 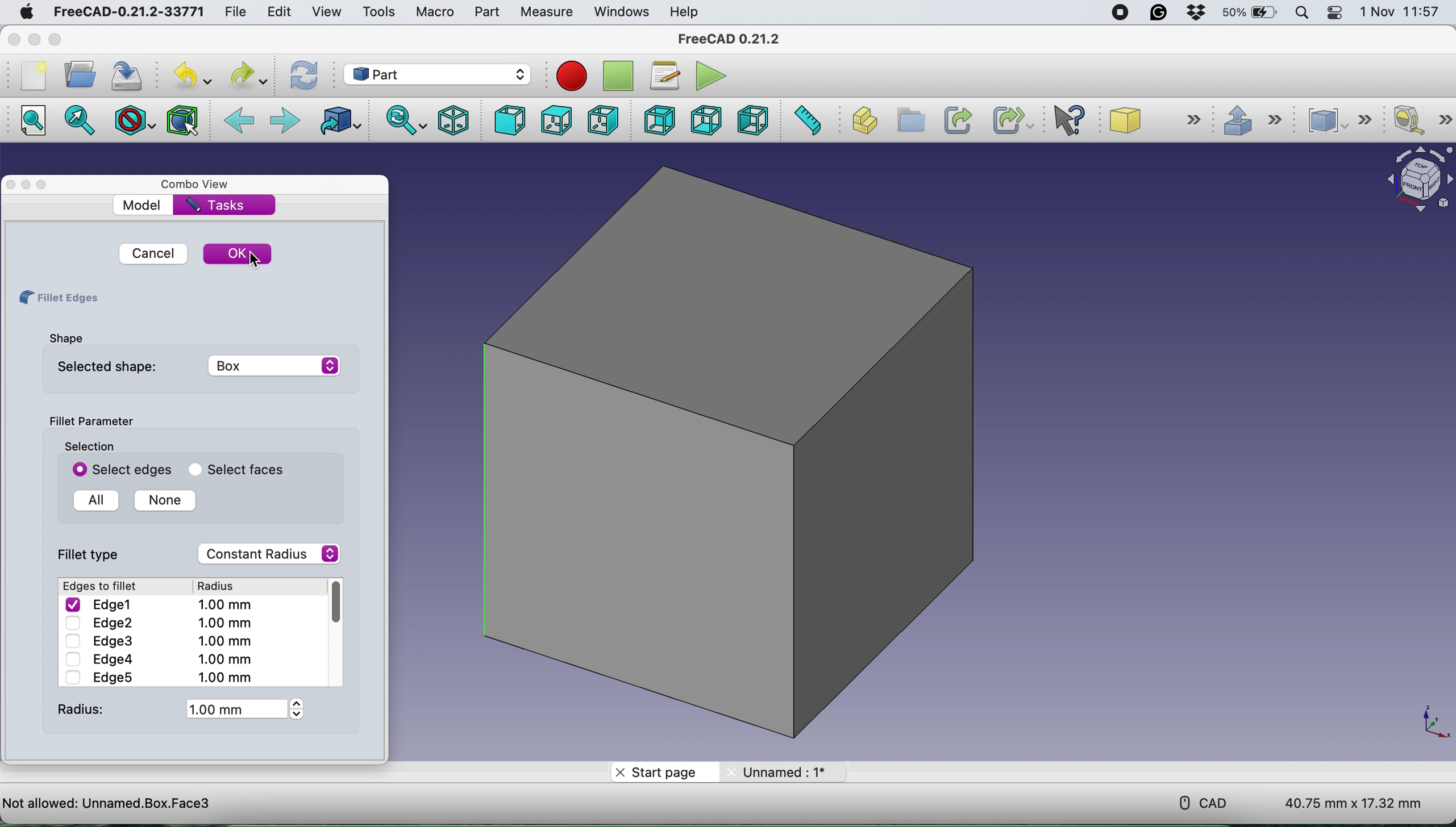 I want to click on screen recorder, so click(x=1118, y=13).